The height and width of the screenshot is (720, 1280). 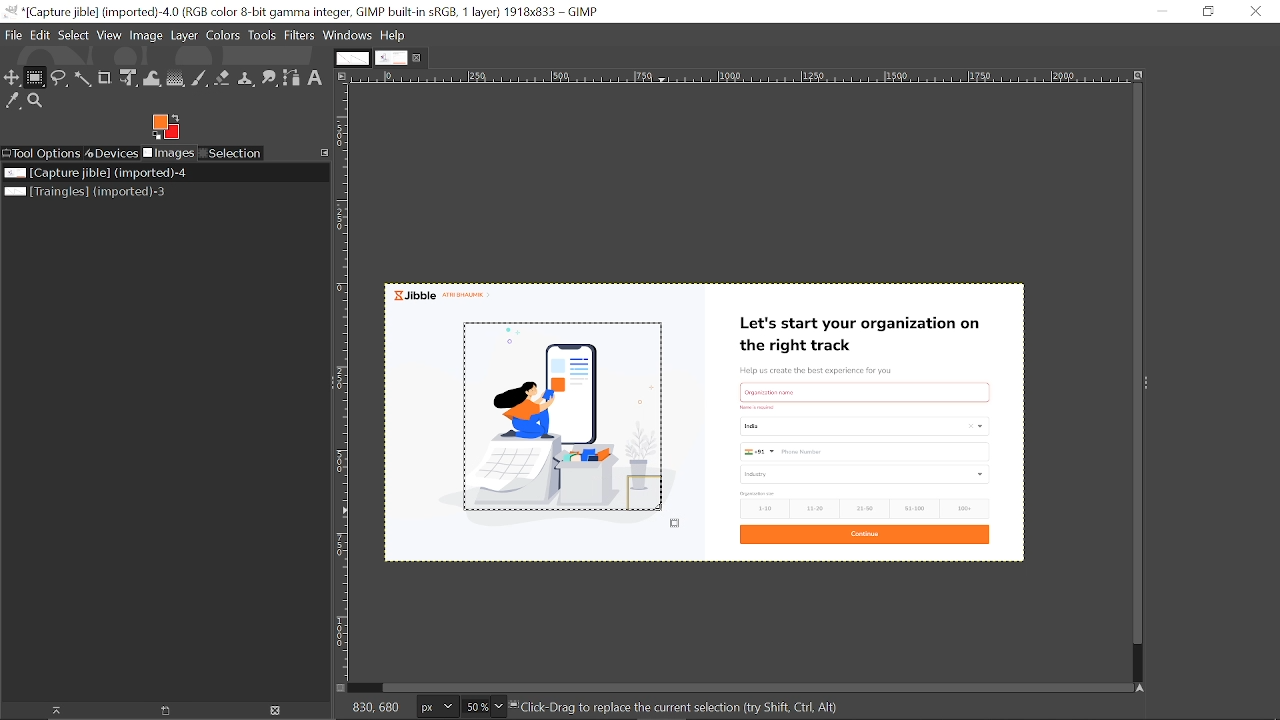 What do you see at coordinates (1163, 12) in the screenshot?
I see `Minimize` at bounding box center [1163, 12].